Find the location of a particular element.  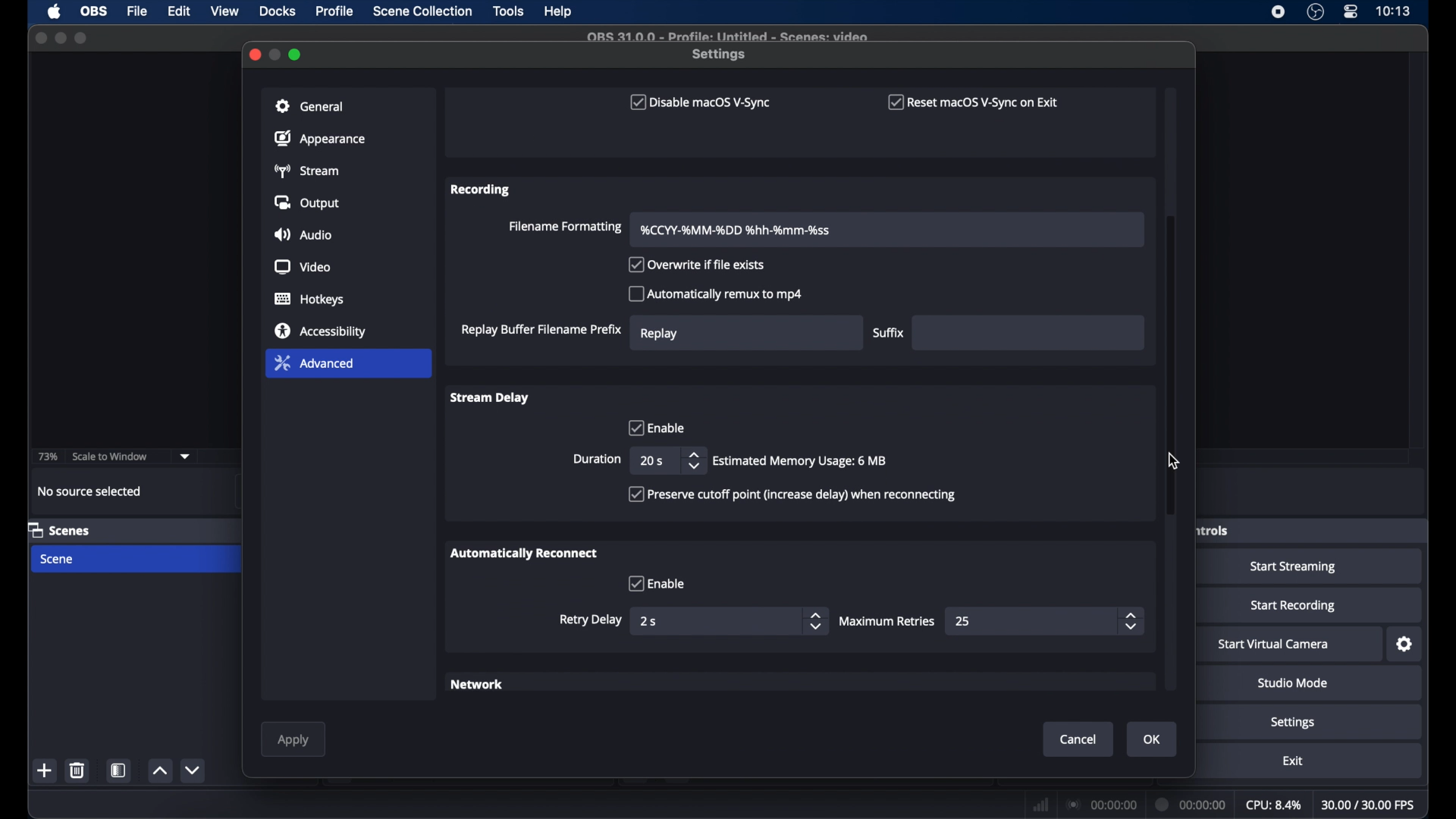

file name is located at coordinates (726, 35).